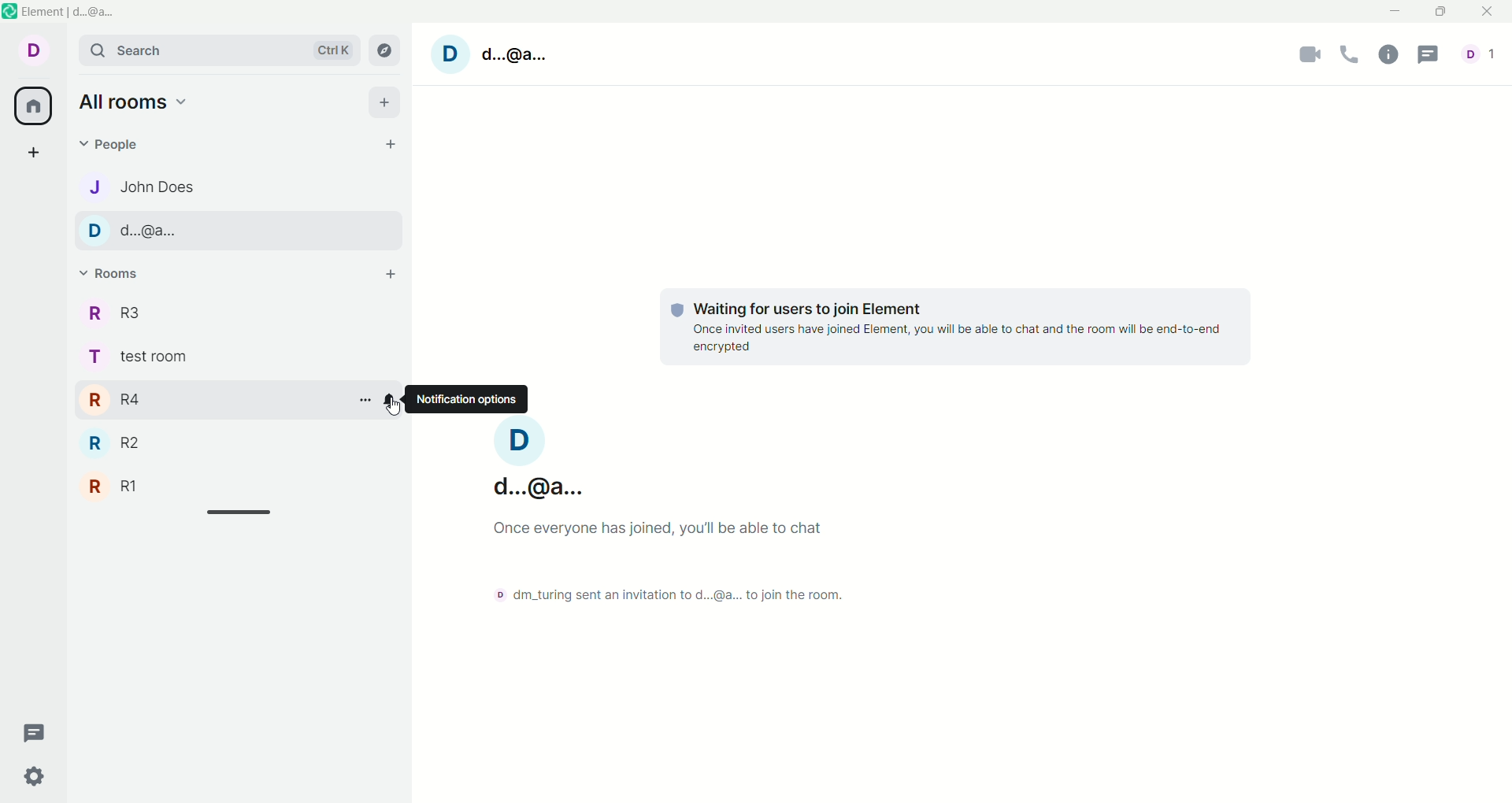 The image size is (1512, 803). What do you see at coordinates (1438, 55) in the screenshot?
I see `threads` at bounding box center [1438, 55].